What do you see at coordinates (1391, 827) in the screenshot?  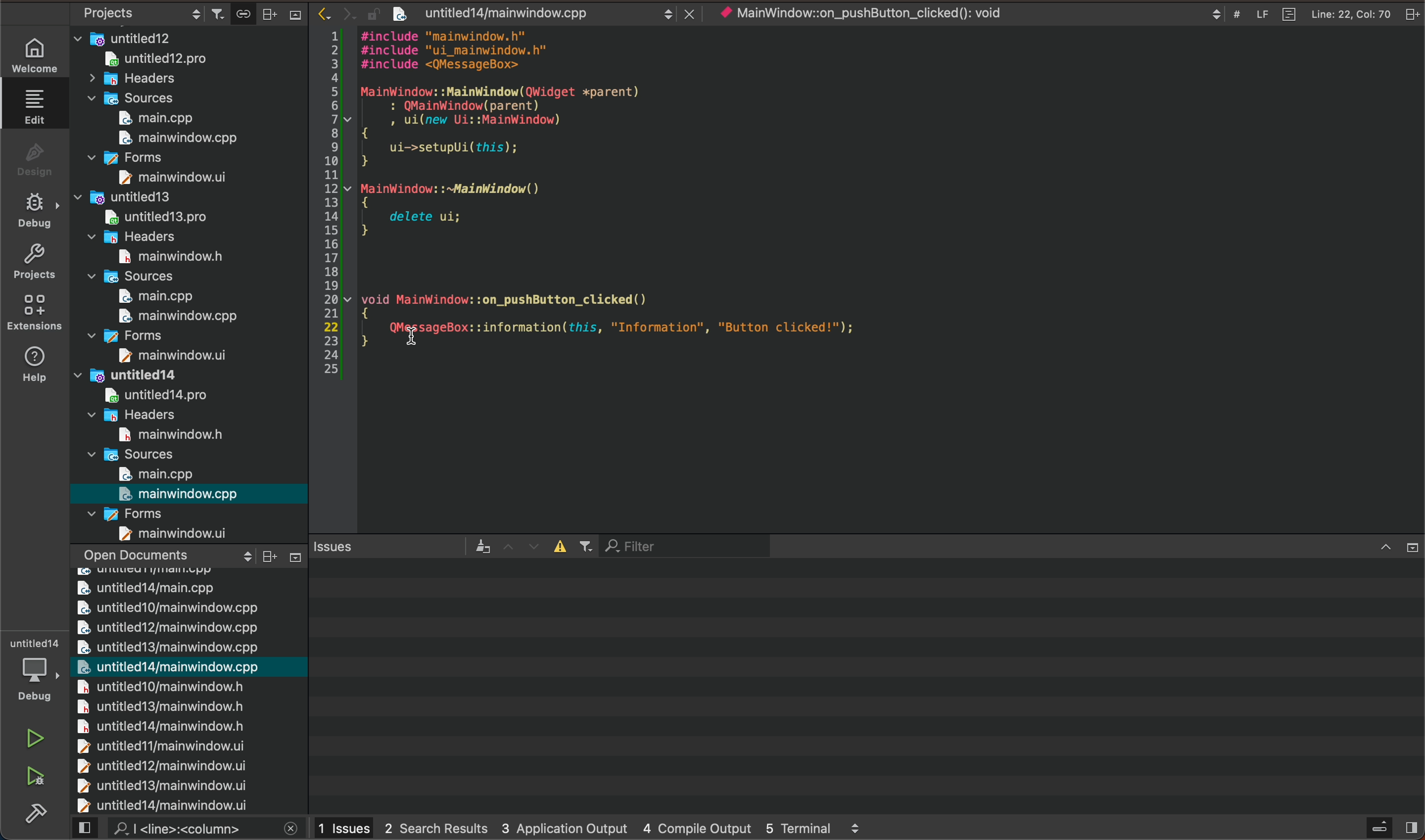 I see `close side bar` at bounding box center [1391, 827].